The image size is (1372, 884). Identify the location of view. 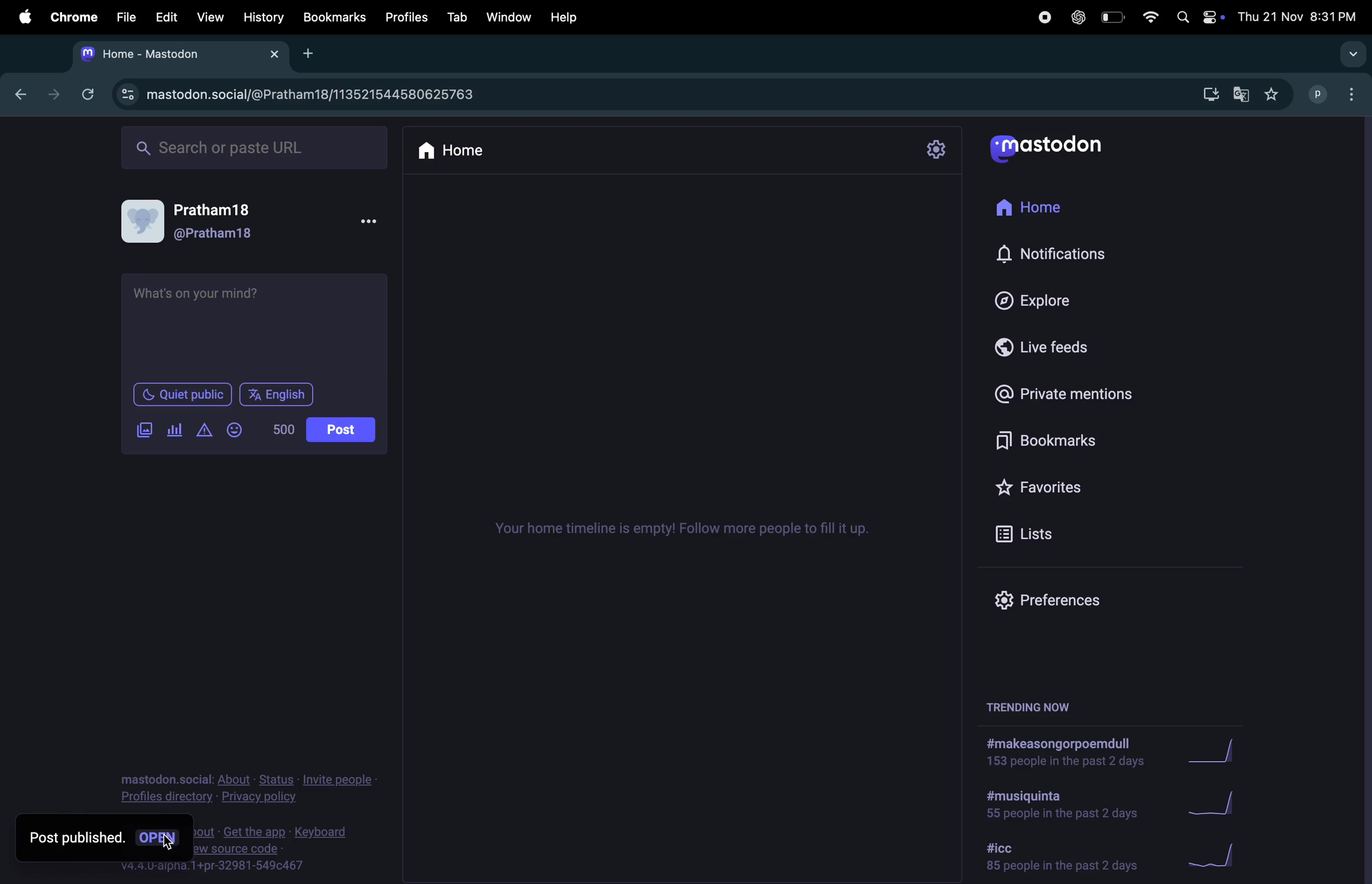
(209, 15).